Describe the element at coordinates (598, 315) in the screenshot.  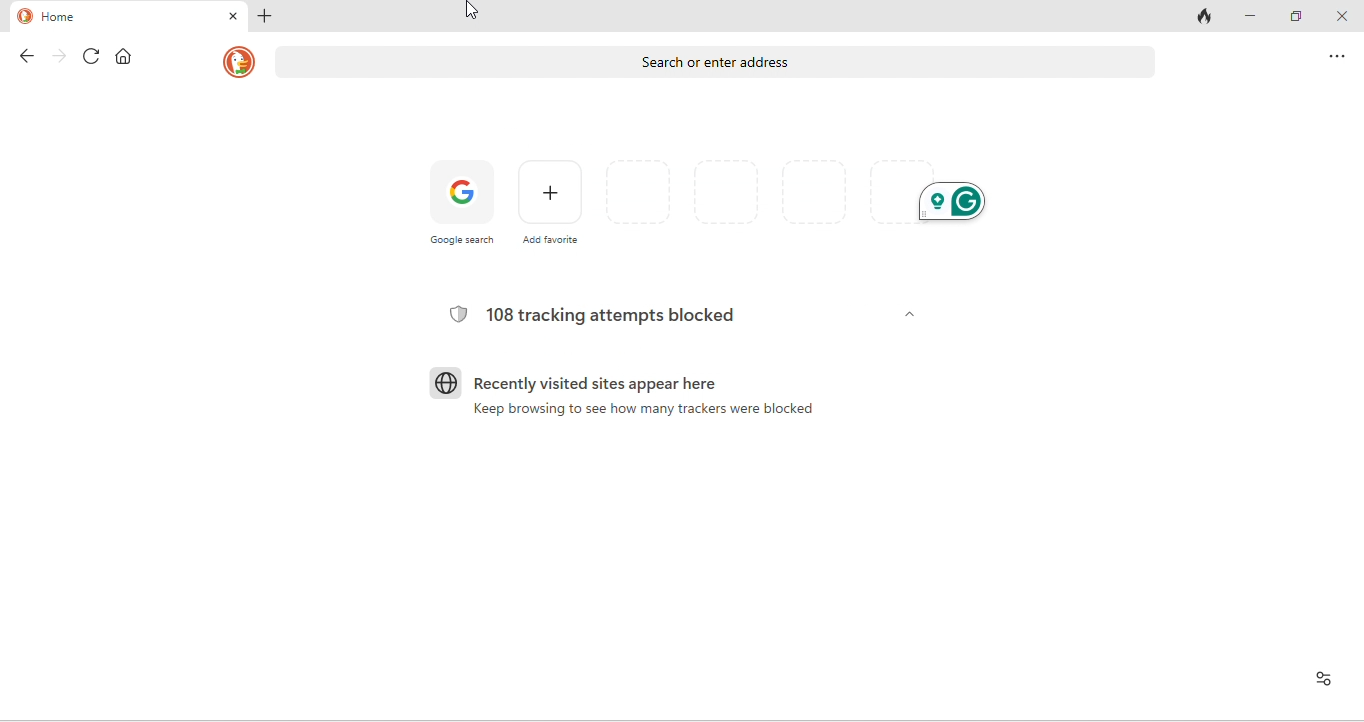
I see `108 tracking attempts blocked` at that location.